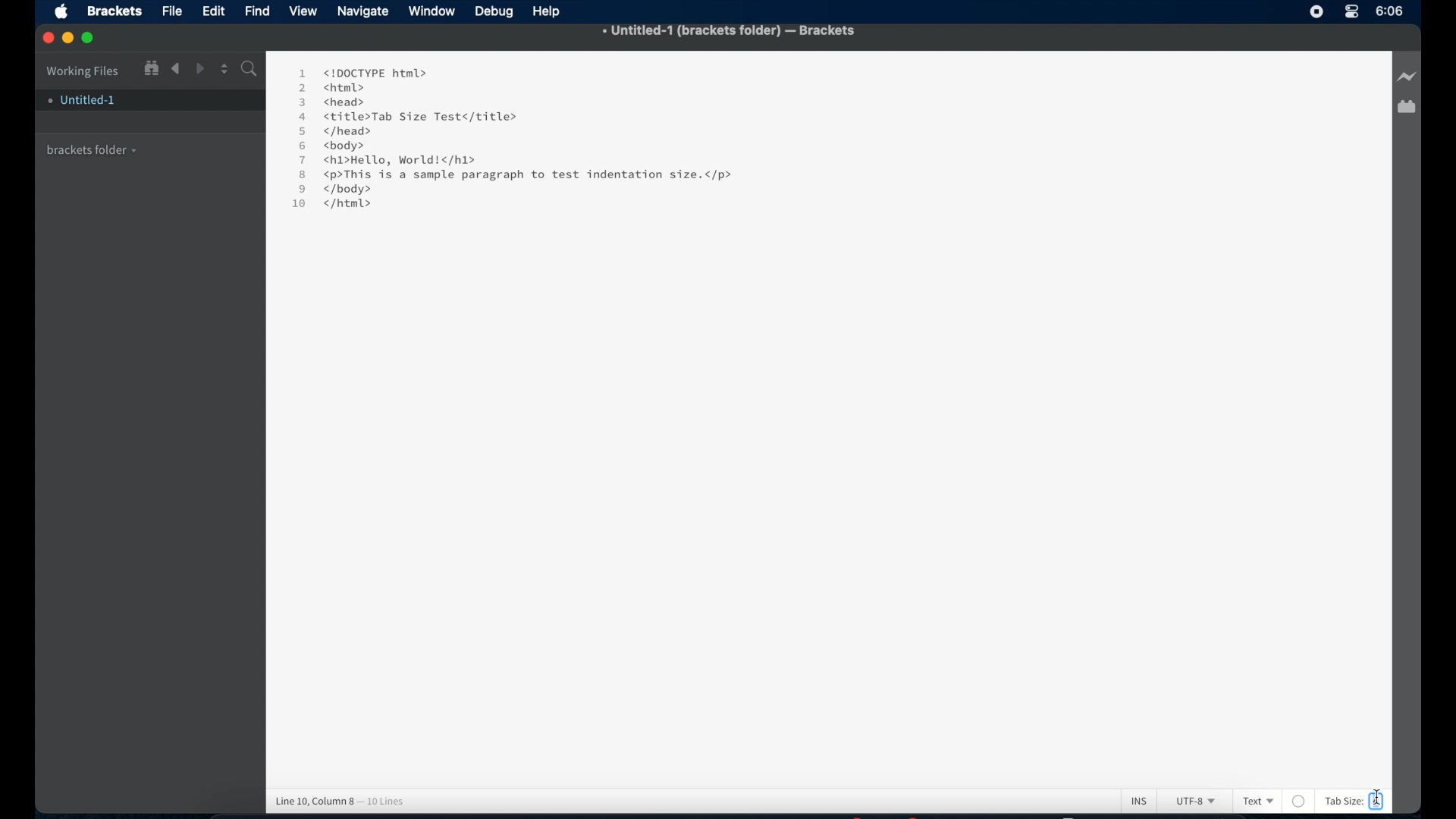 The height and width of the screenshot is (819, 1456). What do you see at coordinates (248, 71) in the screenshot?
I see `Find` at bounding box center [248, 71].